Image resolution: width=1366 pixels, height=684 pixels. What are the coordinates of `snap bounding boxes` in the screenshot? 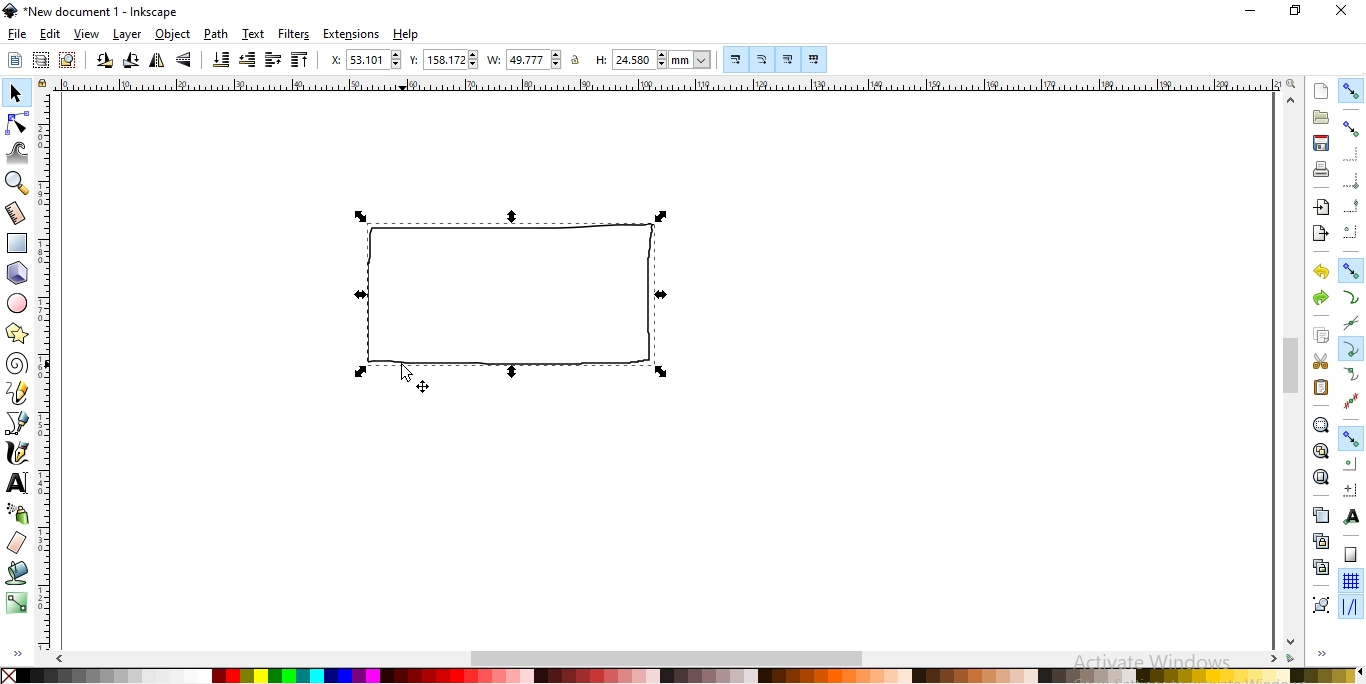 It's located at (1353, 127).